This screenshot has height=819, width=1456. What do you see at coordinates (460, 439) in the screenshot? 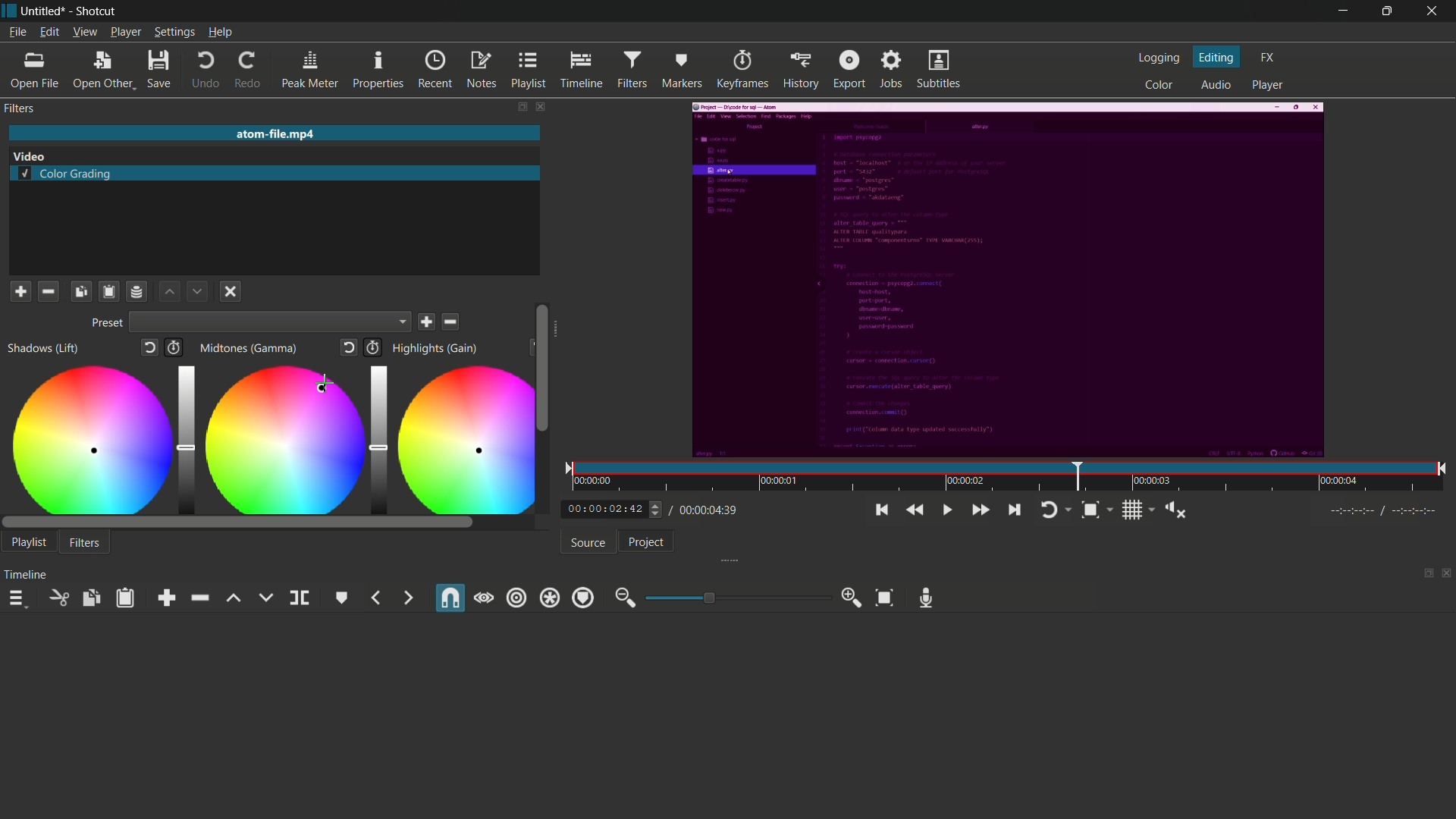
I see `adjustment circle` at bounding box center [460, 439].